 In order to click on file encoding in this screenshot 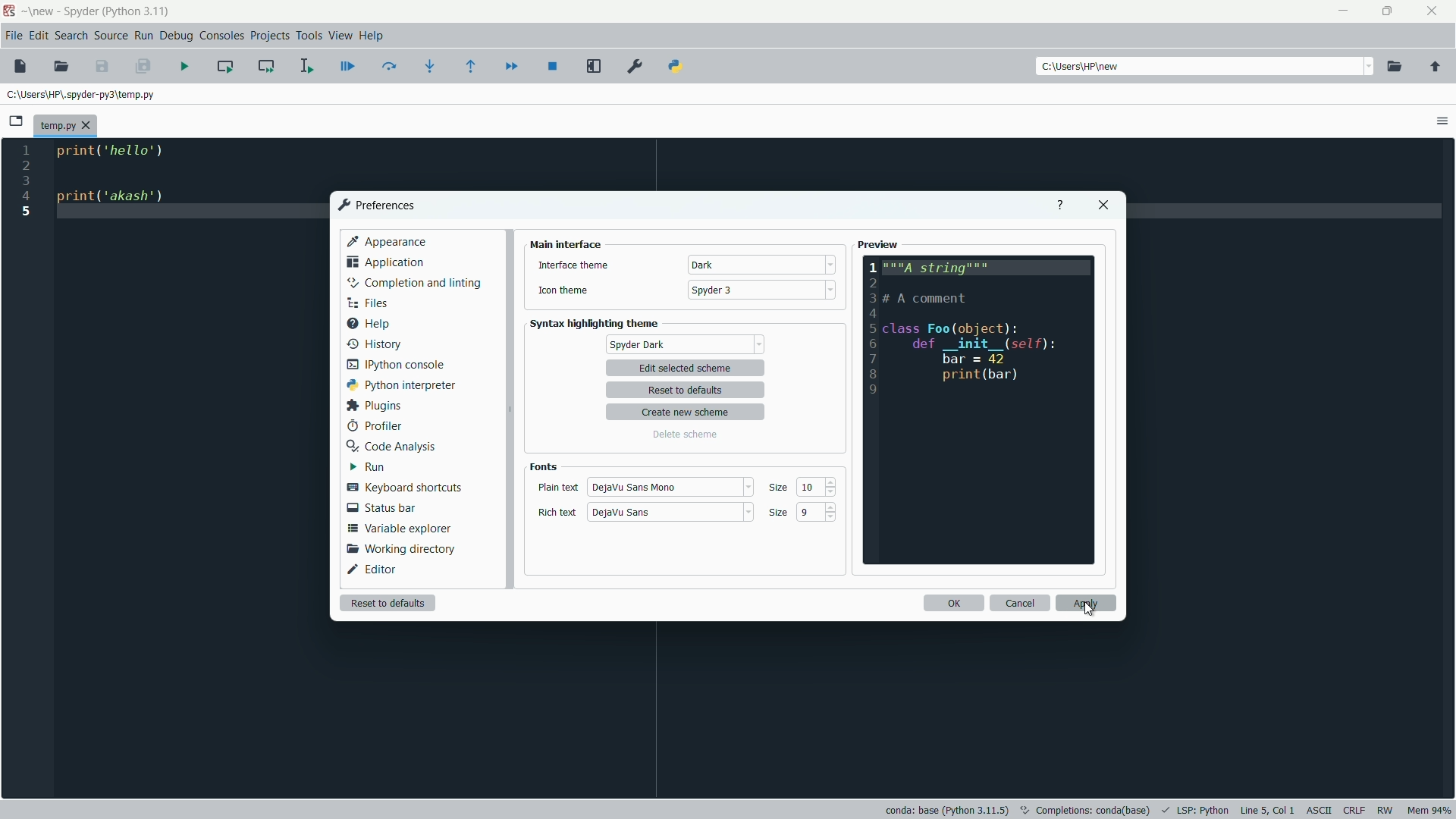, I will do `click(1318, 811)`.